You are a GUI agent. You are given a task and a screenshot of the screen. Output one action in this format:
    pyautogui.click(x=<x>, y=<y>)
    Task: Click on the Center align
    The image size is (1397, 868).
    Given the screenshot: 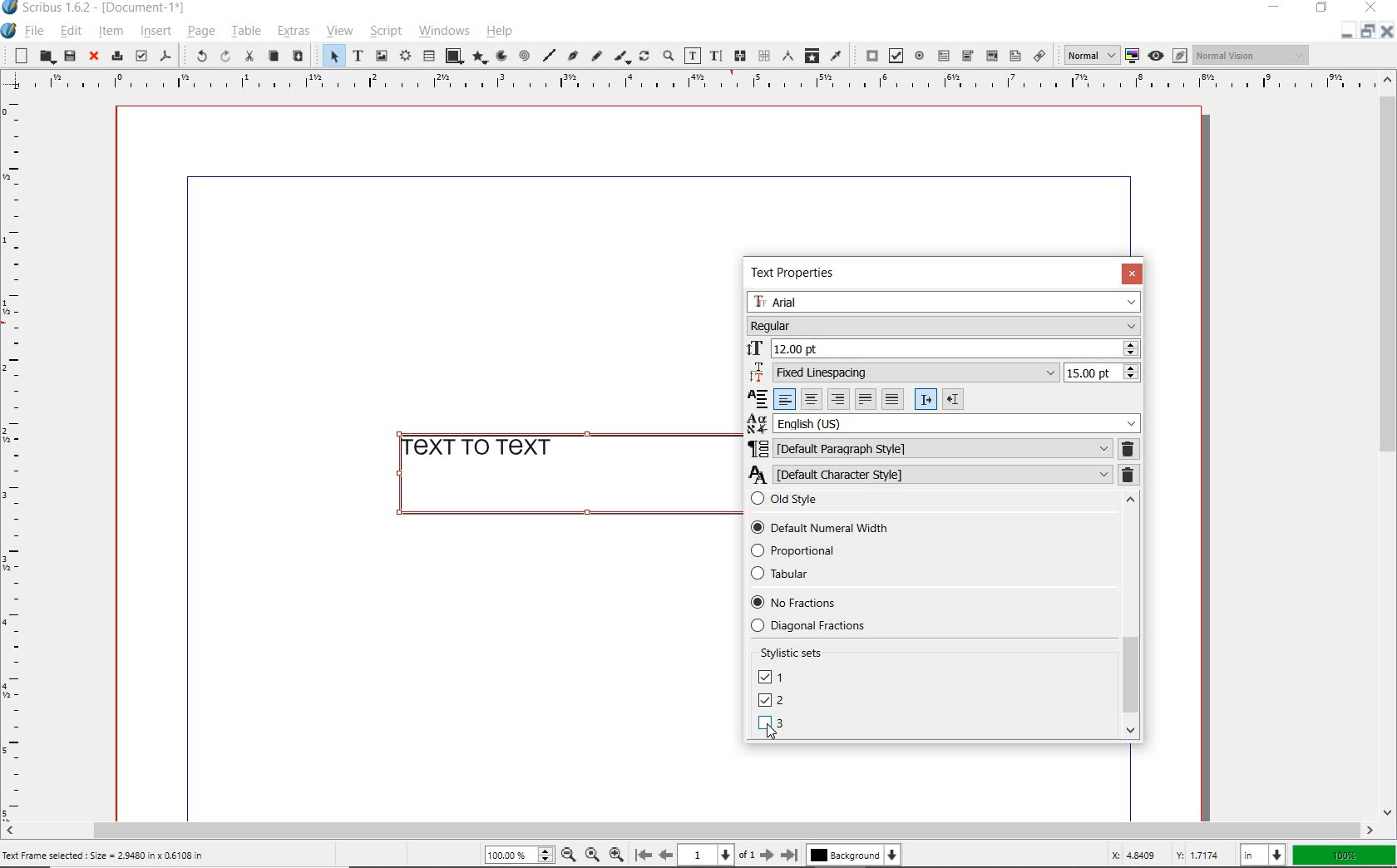 What is the action you would take?
    pyautogui.click(x=811, y=399)
    